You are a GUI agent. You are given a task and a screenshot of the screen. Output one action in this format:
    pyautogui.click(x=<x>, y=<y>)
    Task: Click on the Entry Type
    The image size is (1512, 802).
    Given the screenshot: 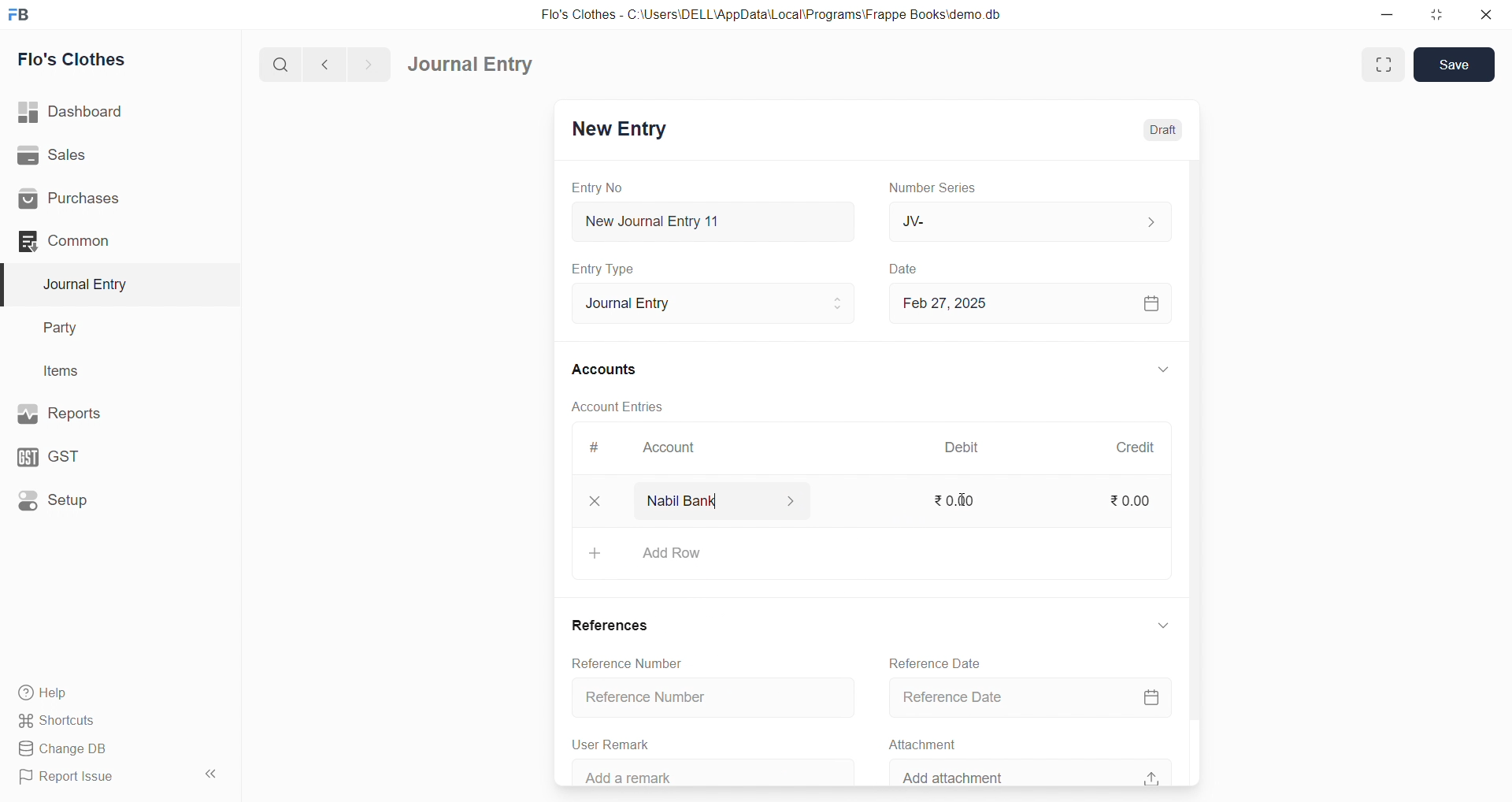 What is the action you would take?
    pyautogui.click(x=604, y=269)
    